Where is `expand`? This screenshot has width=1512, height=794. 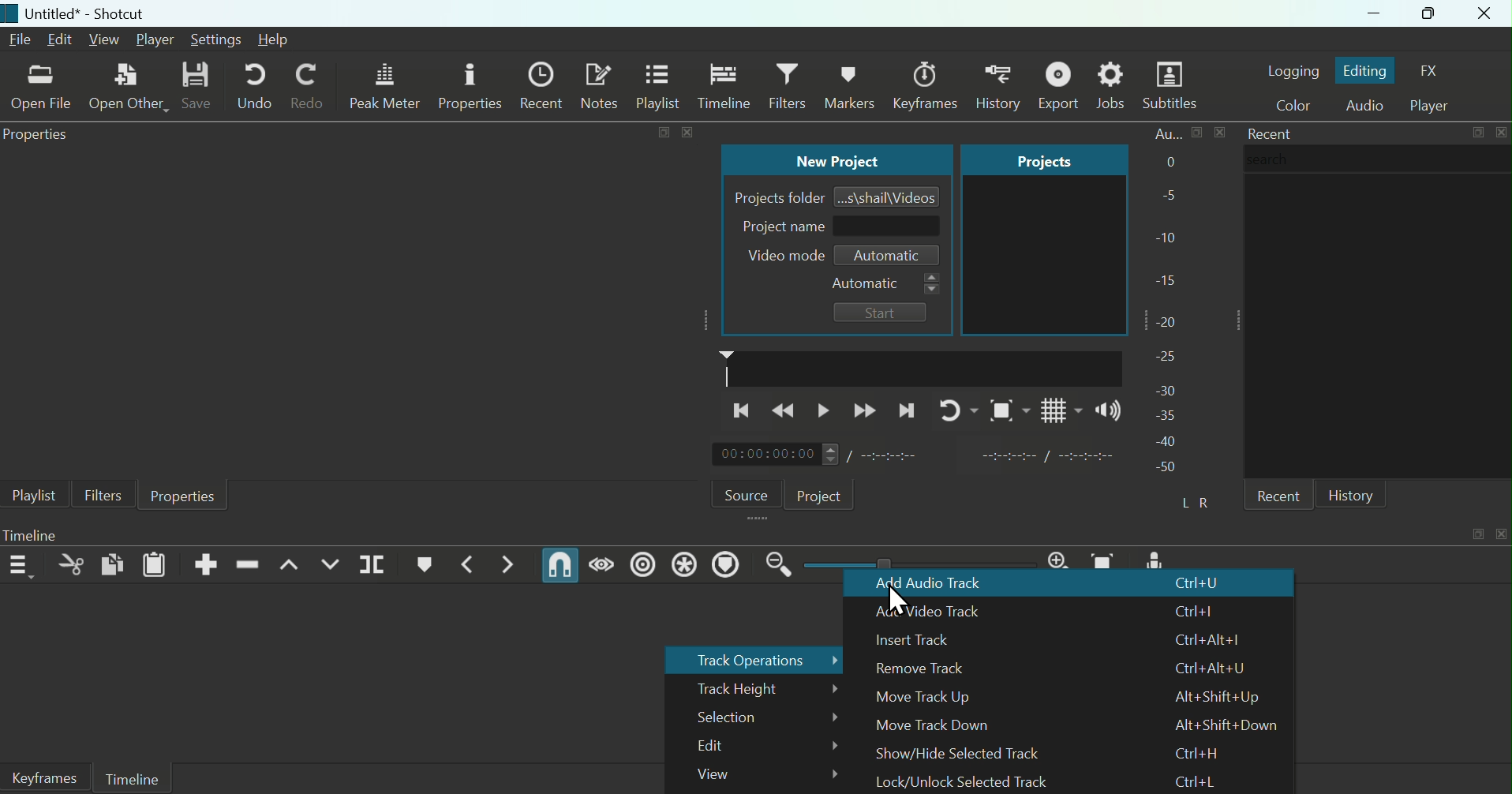 expand is located at coordinates (663, 133).